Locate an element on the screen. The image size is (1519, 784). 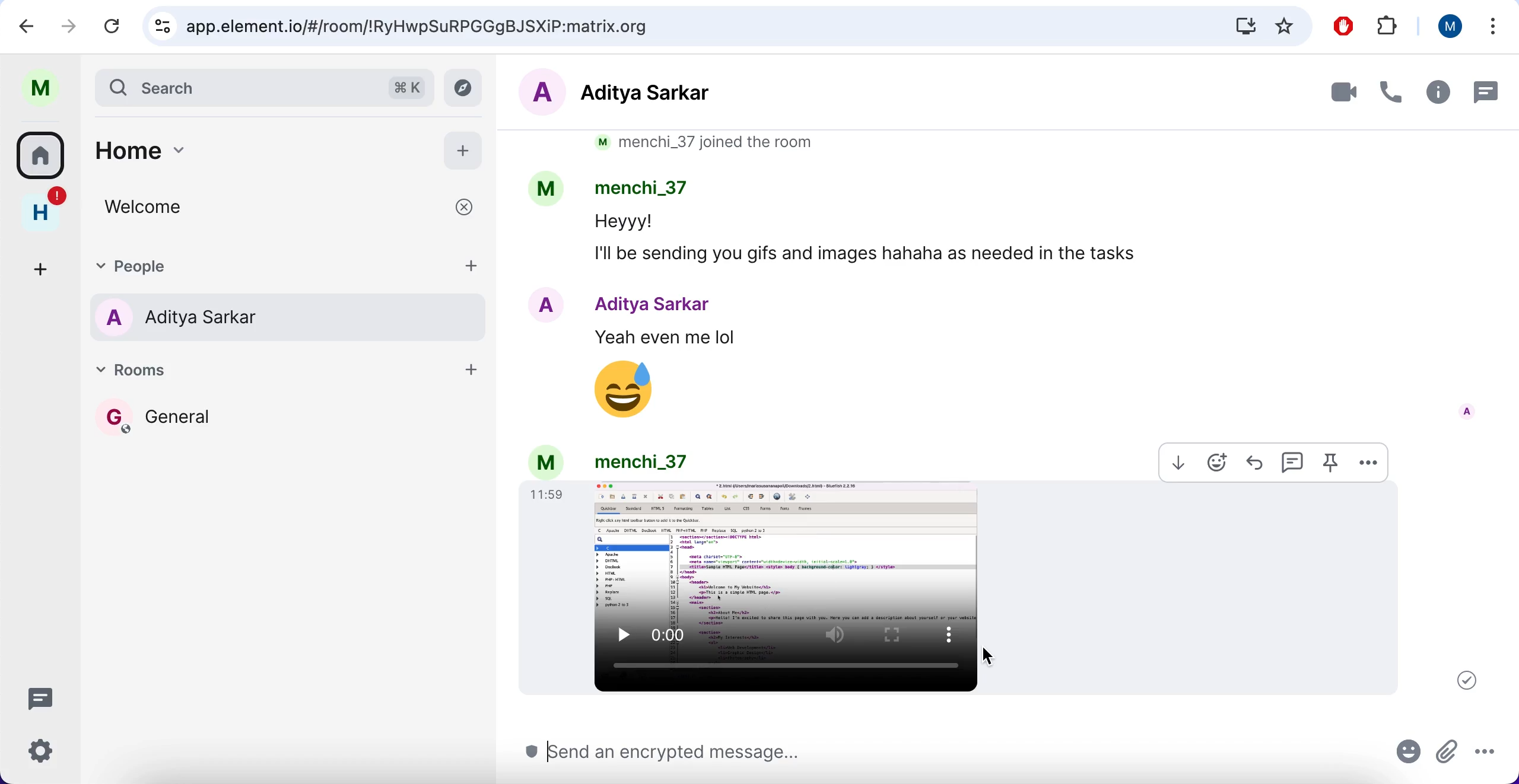
people is located at coordinates (291, 318).